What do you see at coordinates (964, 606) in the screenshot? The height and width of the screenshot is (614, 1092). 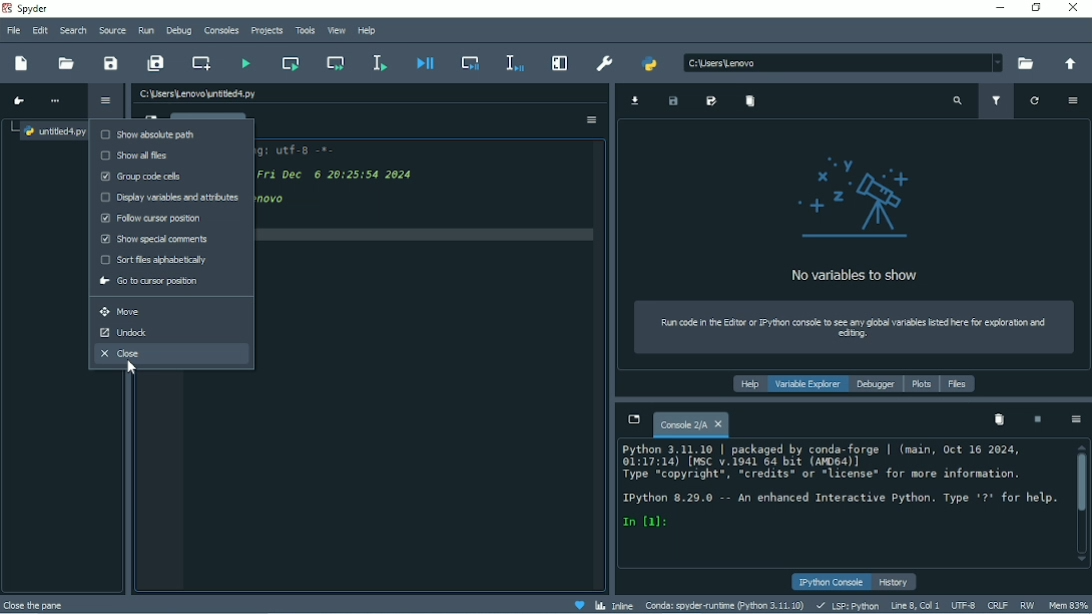 I see `UTF` at bounding box center [964, 606].